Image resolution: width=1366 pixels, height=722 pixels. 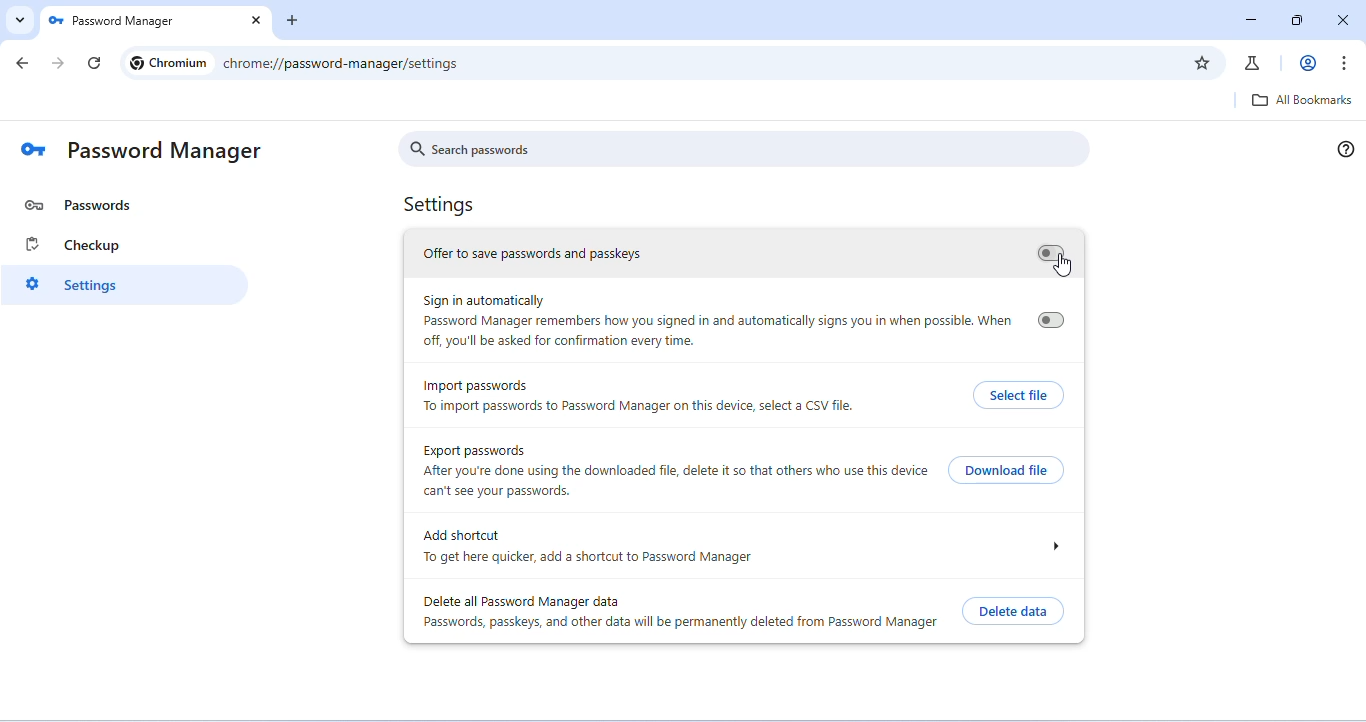 What do you see at coordinates (1204, 61) in the screenshot?
I see `add bookmark` at bounding box center [1204, 61].